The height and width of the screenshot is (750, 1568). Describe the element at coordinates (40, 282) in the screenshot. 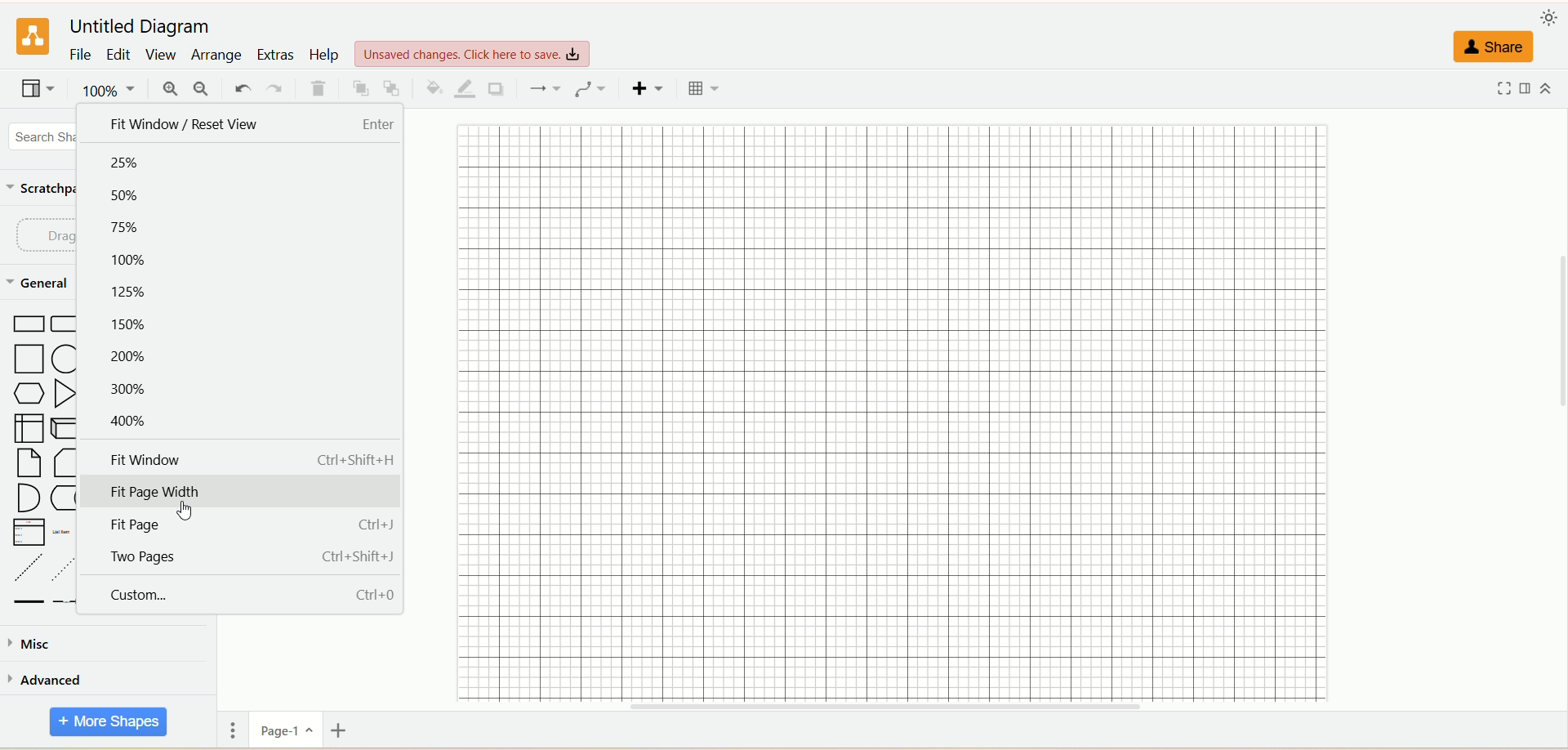

I see `~ General` at that location.